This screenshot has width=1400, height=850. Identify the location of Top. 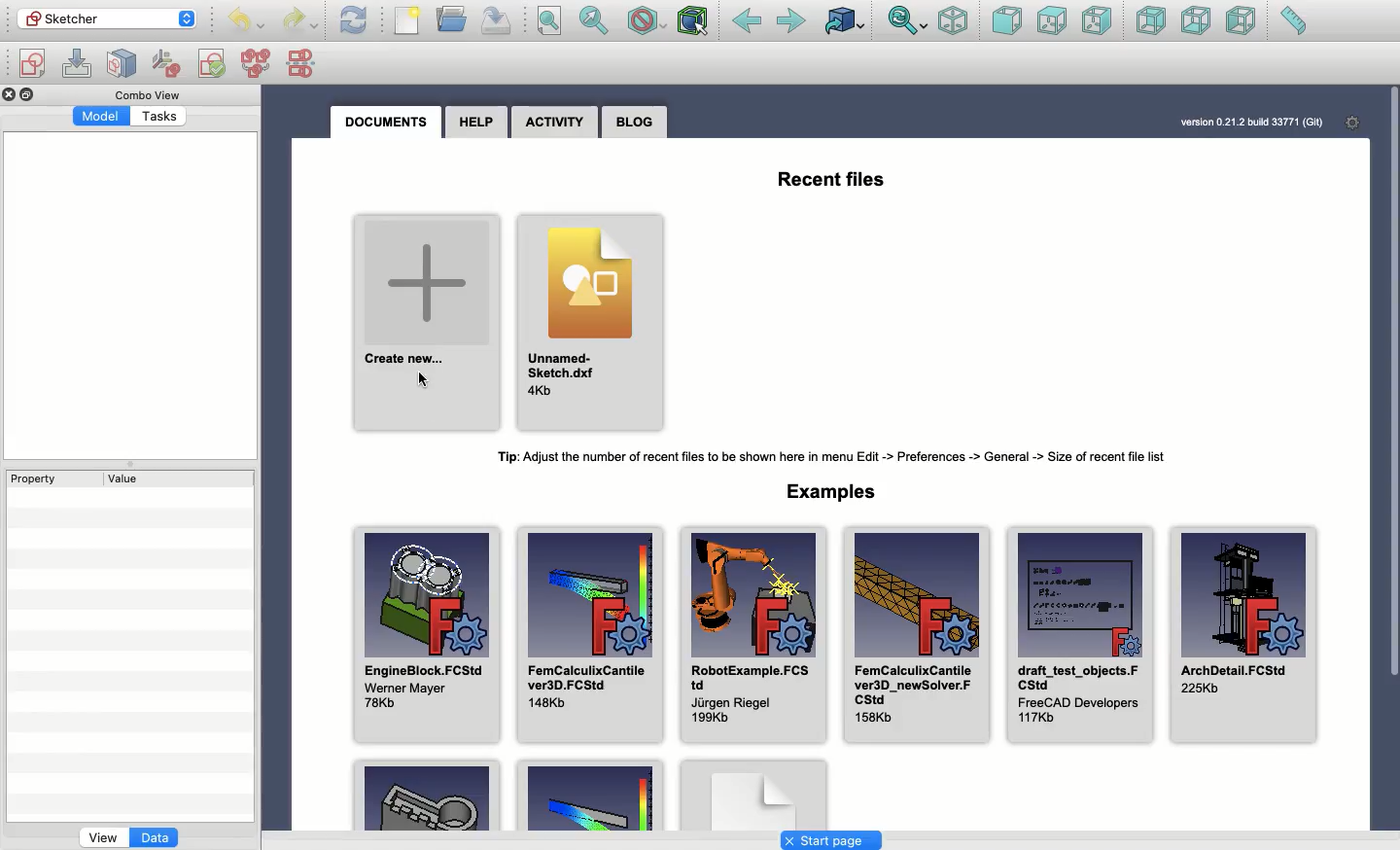
(1050, 20).